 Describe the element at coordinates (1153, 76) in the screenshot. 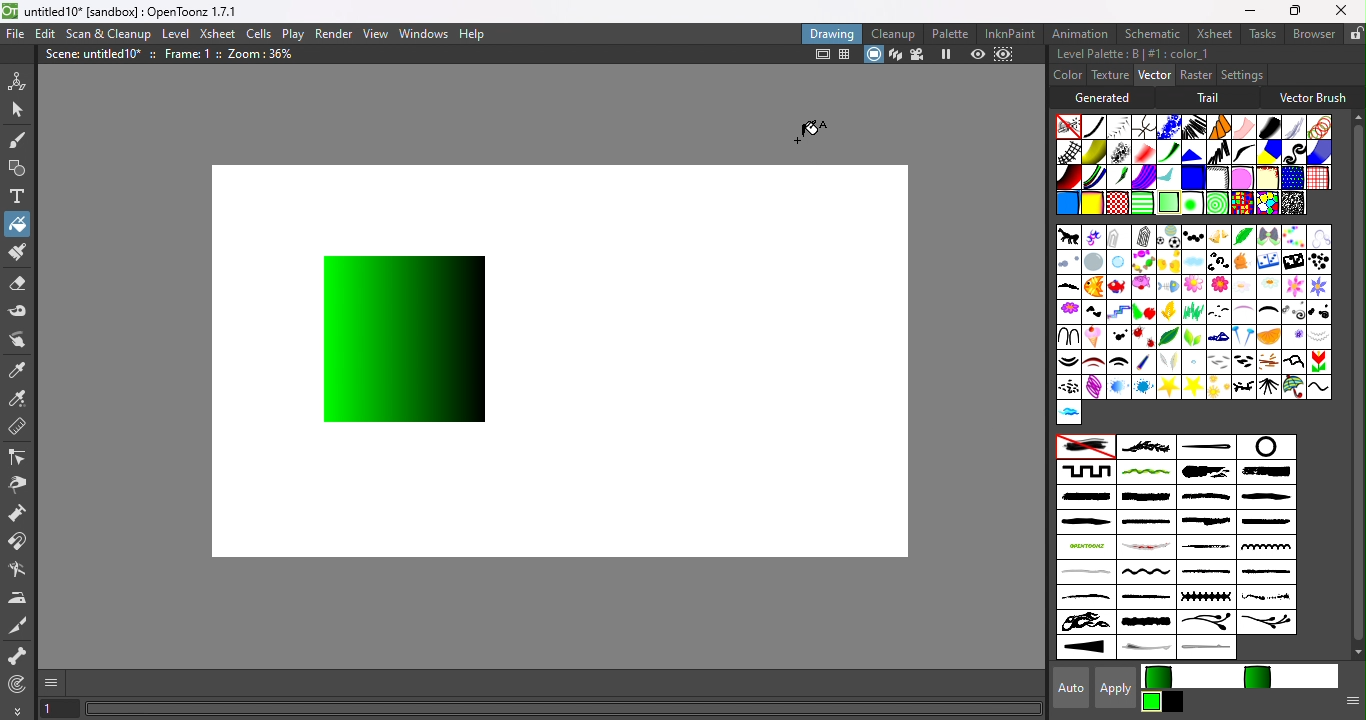

I see `Vector` at that location.